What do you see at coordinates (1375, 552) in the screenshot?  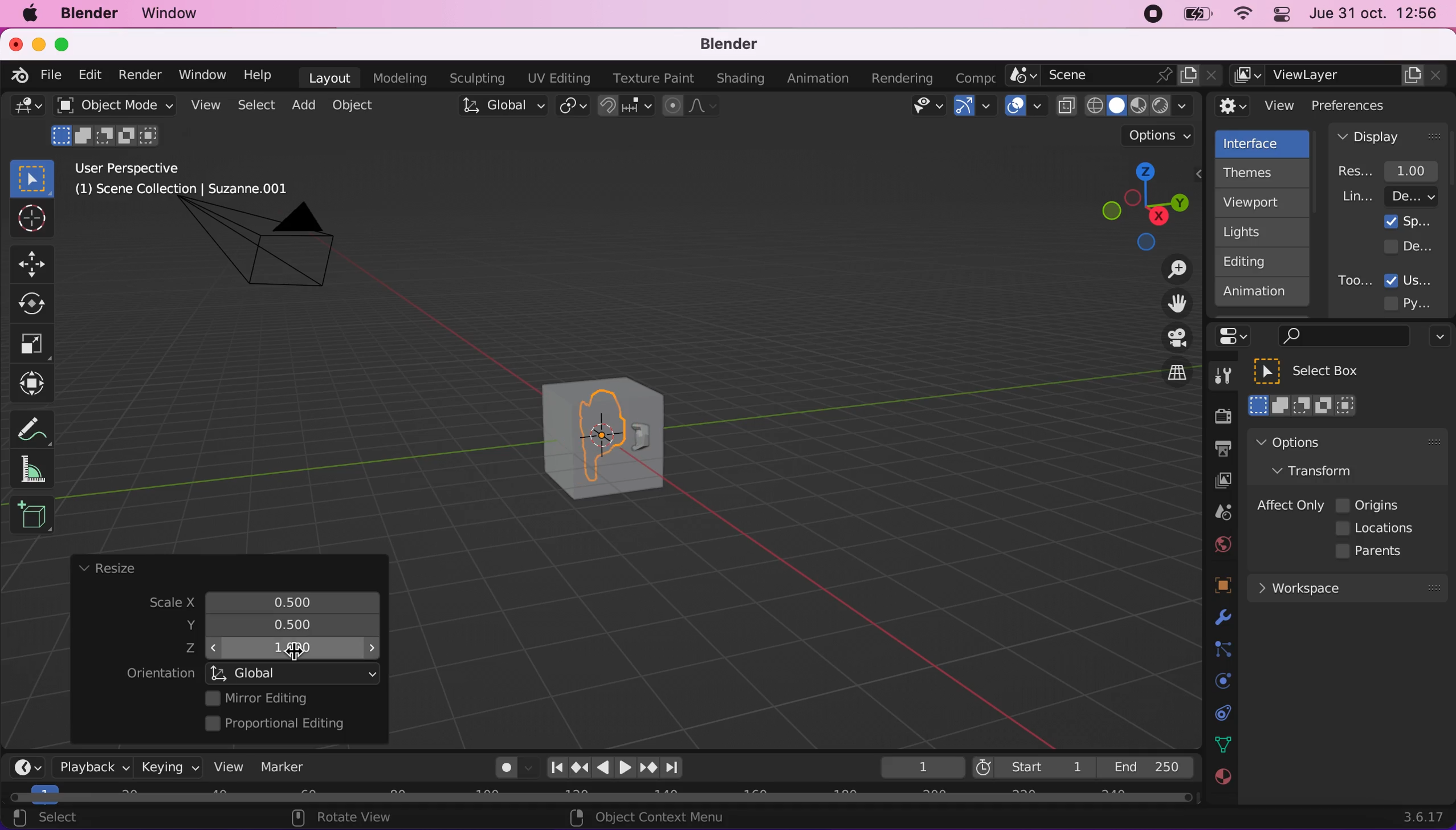 I see `parents` at bounding box center [1375, 552].